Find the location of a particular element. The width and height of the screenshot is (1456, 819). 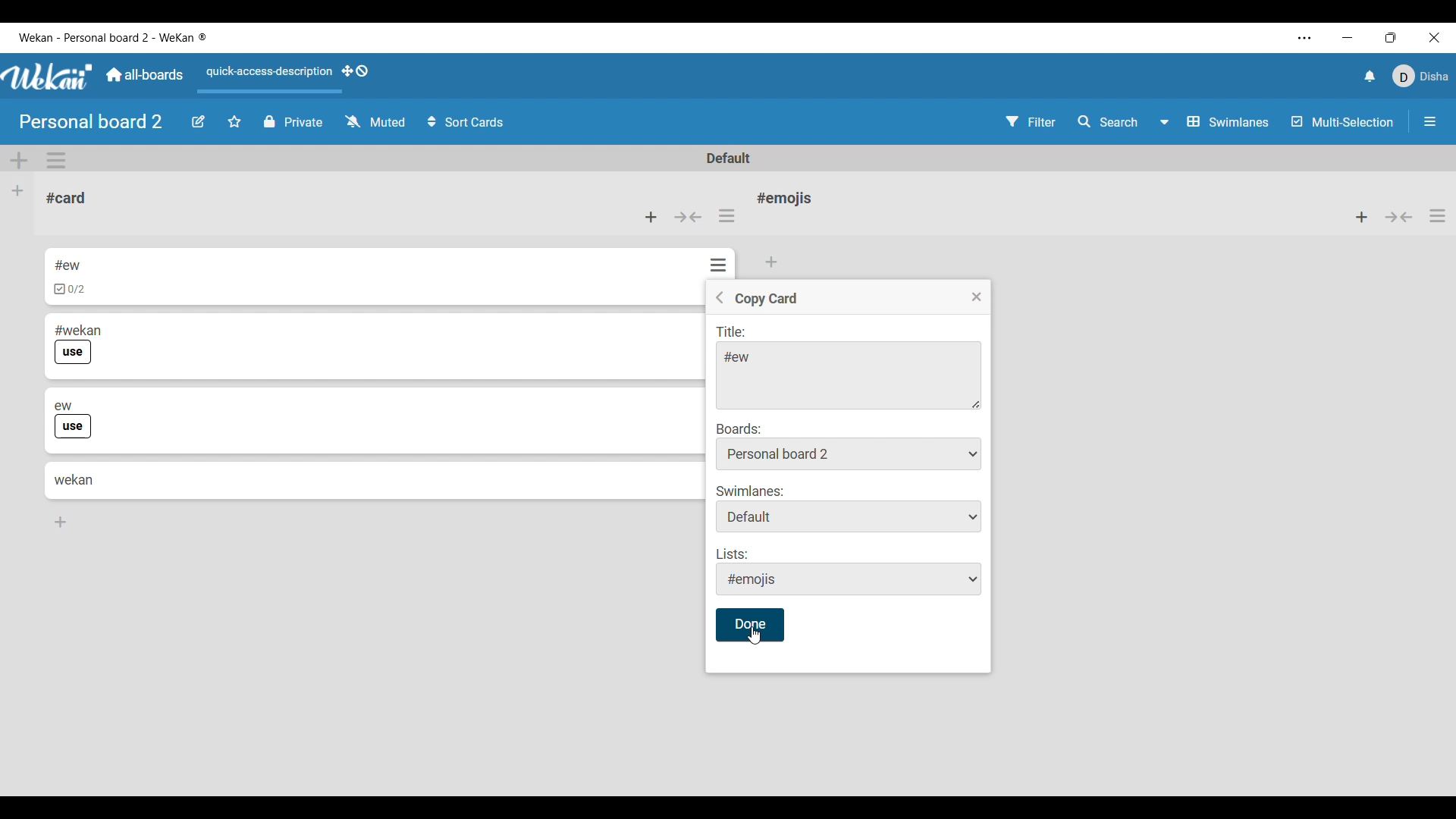

Cursor clicking on Done is located at coordinates (755, 635).